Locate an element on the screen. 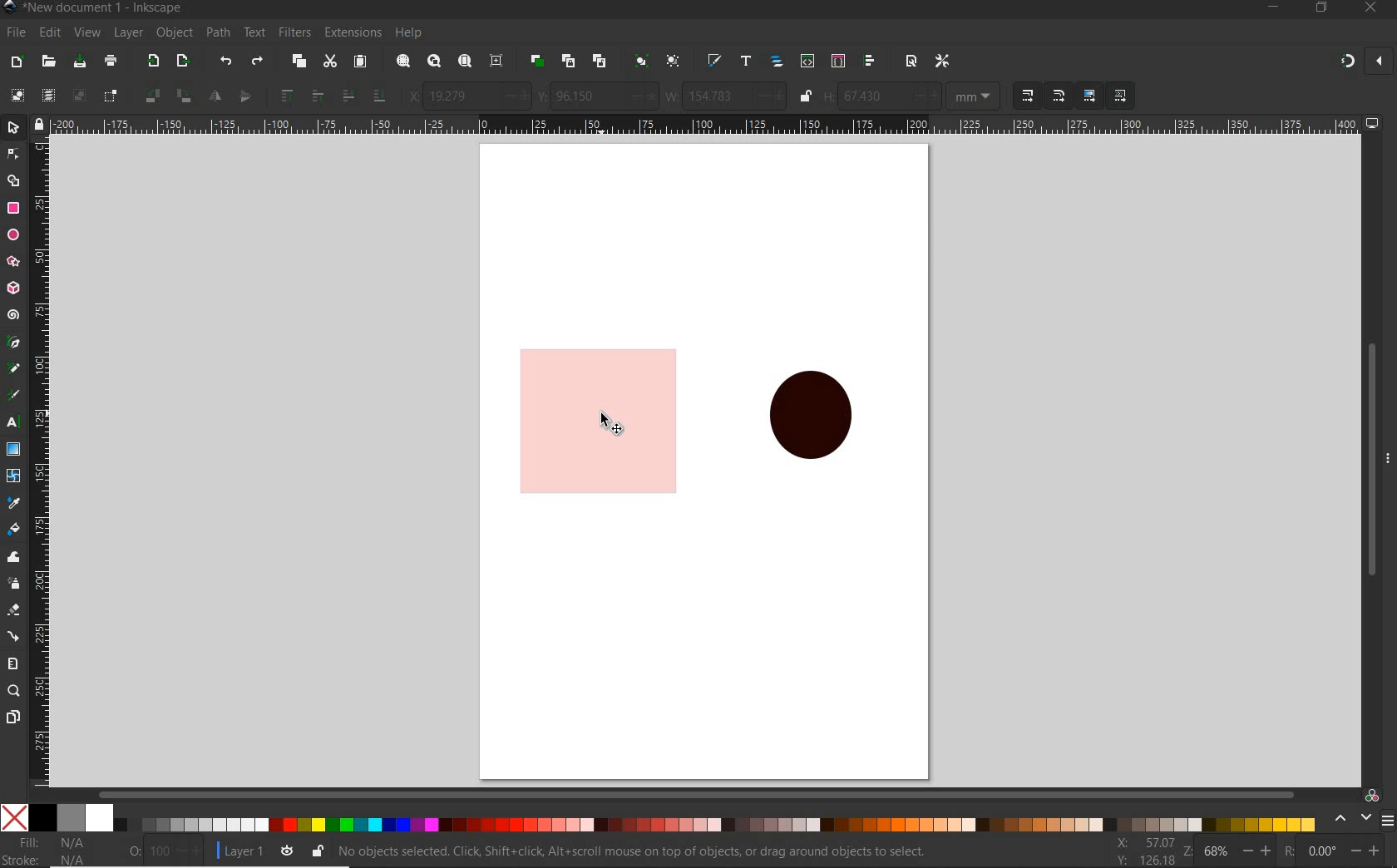 The image size is (1397, 868). spray tool is located at coordinates (15, 585).